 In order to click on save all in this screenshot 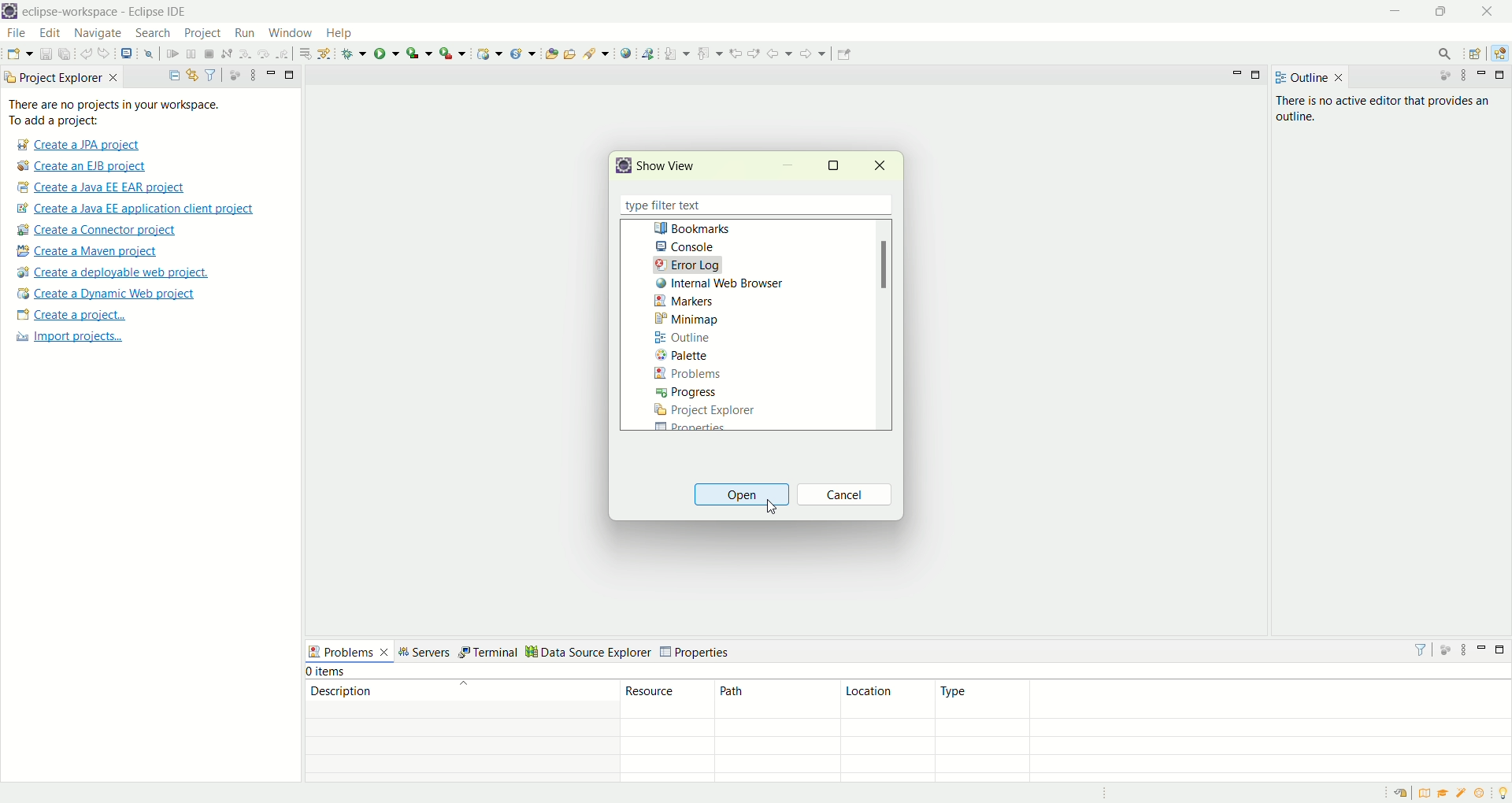, I will do `click(65, 54)`.